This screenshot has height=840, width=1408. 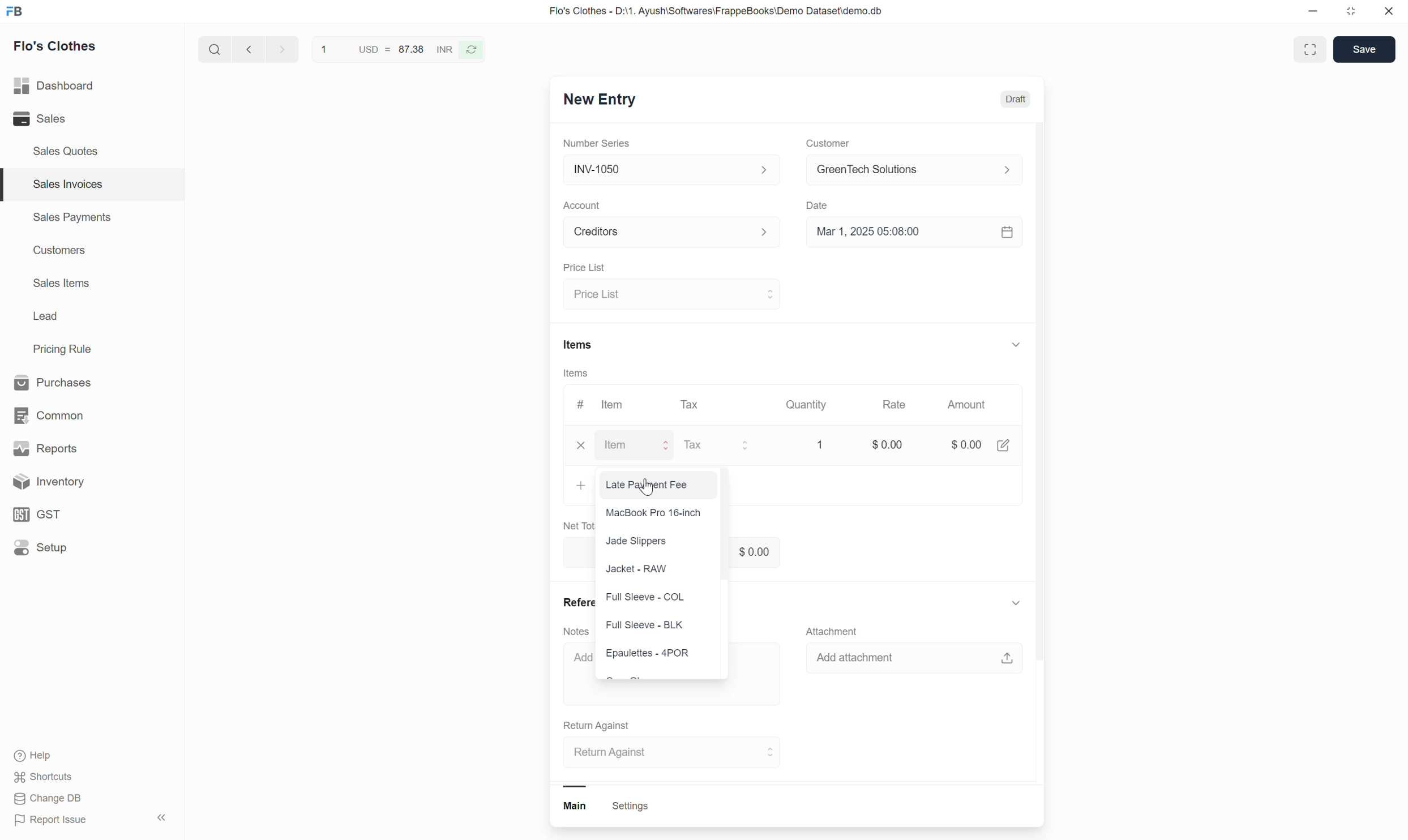 I want to click on Rate, so click(x=896, y=406).